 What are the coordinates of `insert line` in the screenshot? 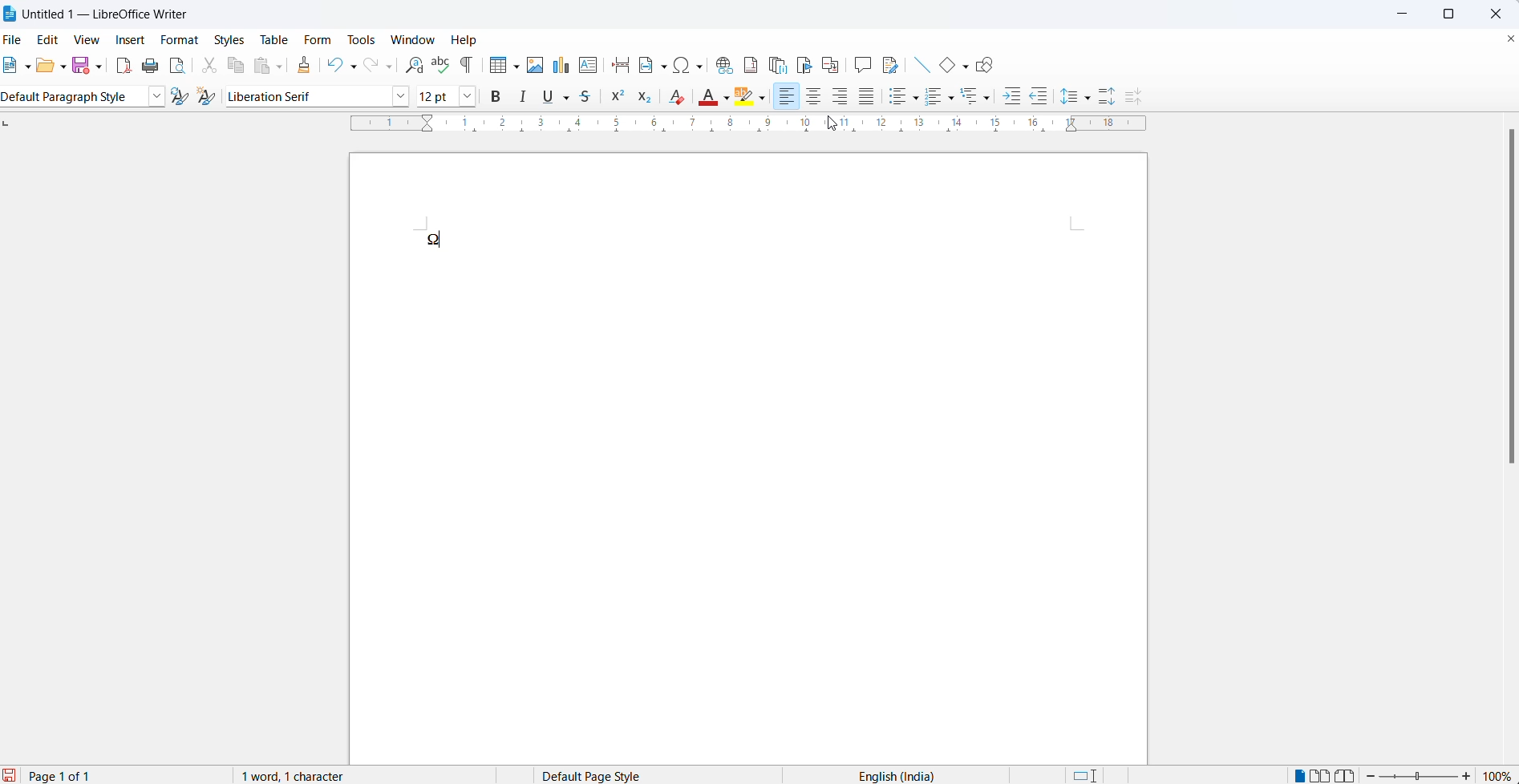 It's located at (920, 66).